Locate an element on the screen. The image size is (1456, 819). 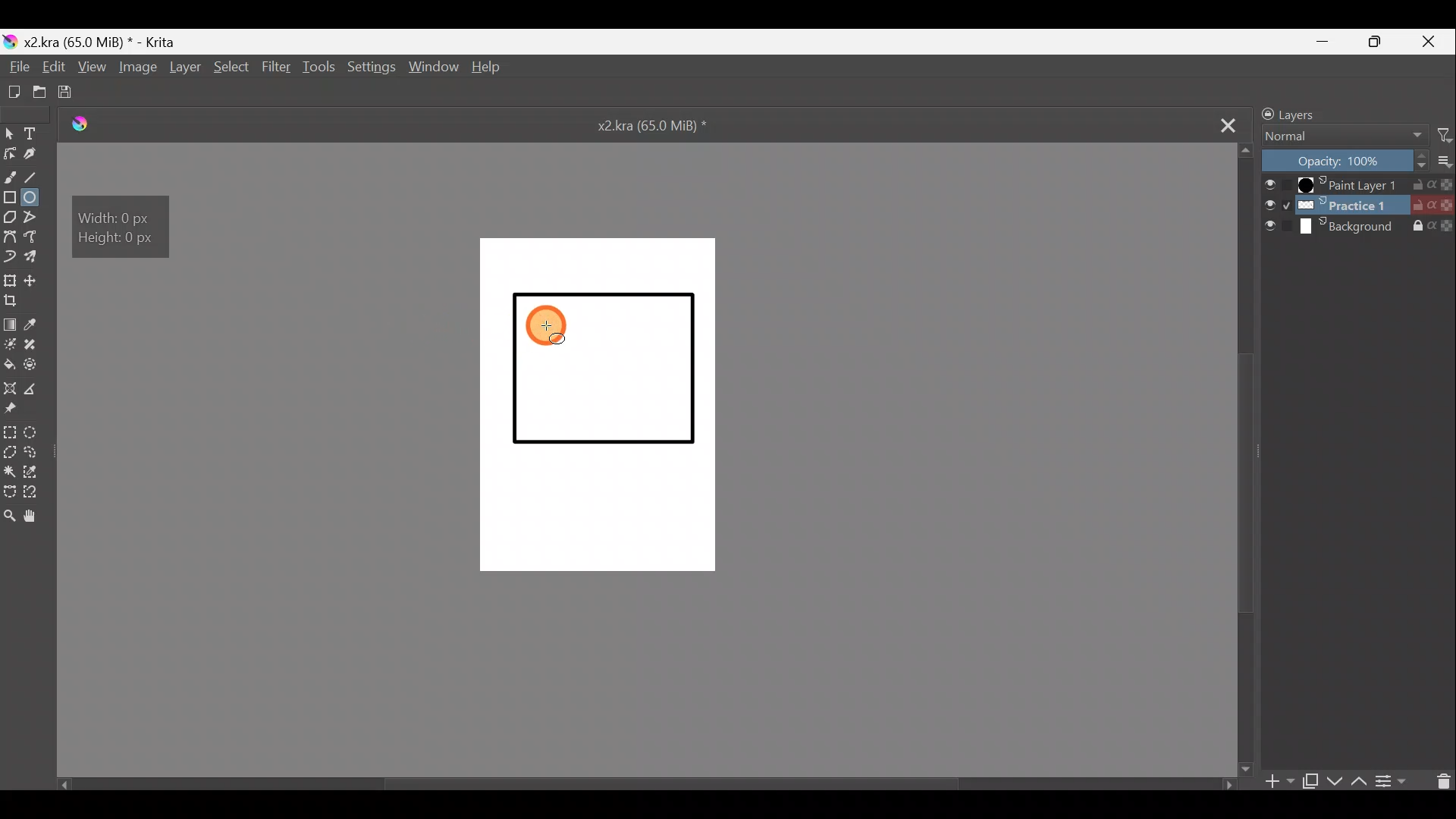
Width:0px is located at coordinates (115, 216).